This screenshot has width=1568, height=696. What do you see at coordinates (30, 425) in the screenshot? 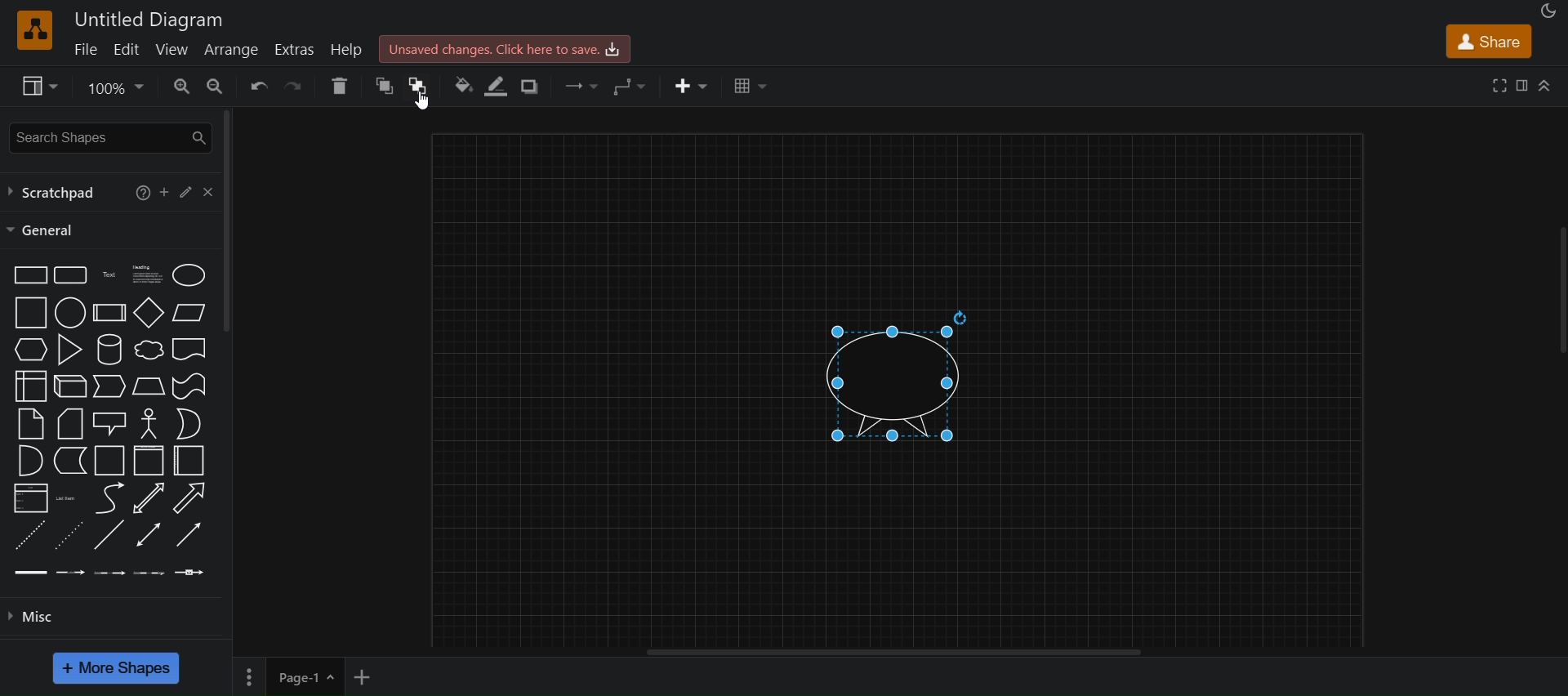
I see `note ` at bounding box center [30, 425].